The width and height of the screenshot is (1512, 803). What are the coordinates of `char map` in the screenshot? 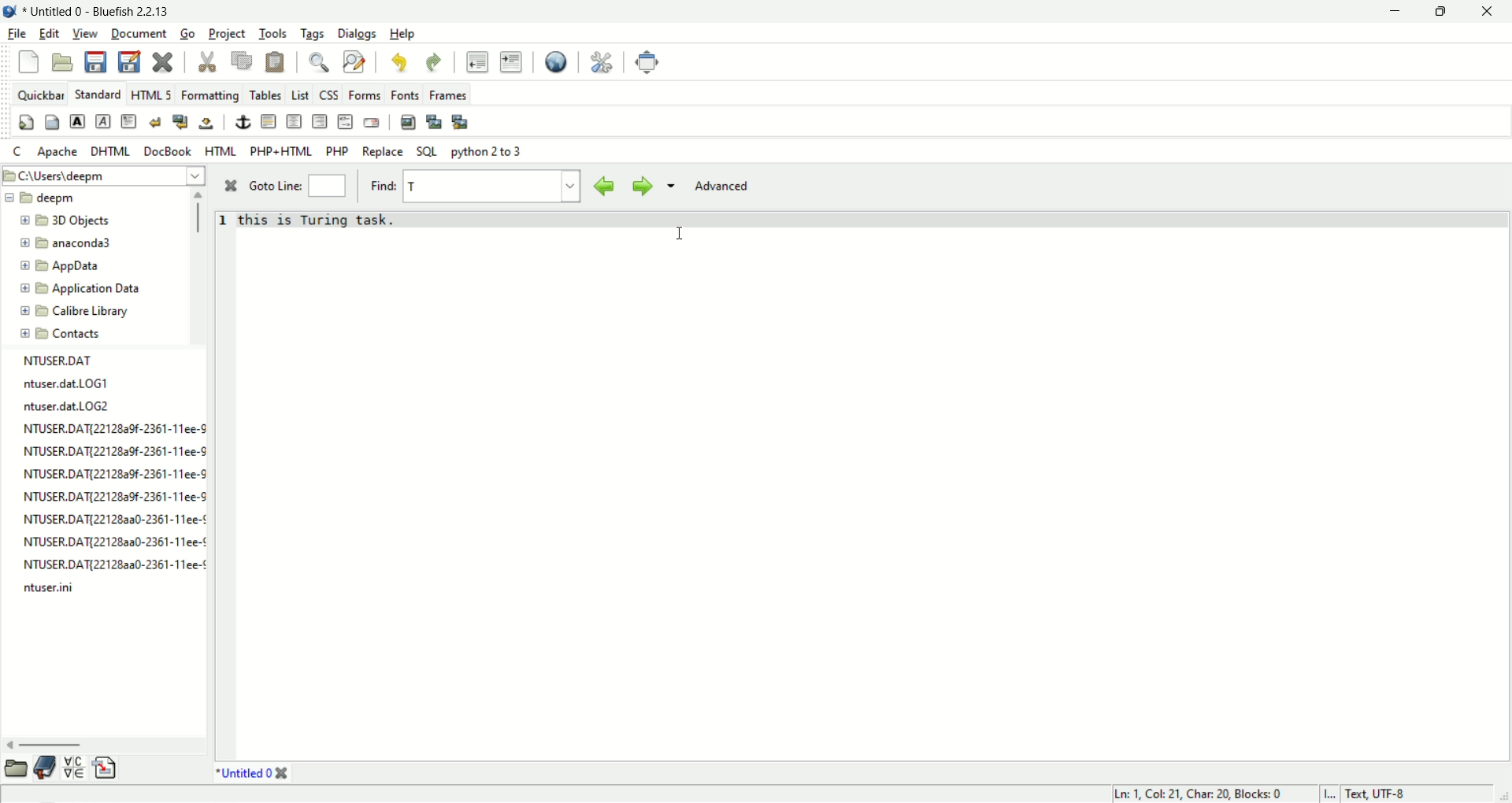 It's located at (75, 768).